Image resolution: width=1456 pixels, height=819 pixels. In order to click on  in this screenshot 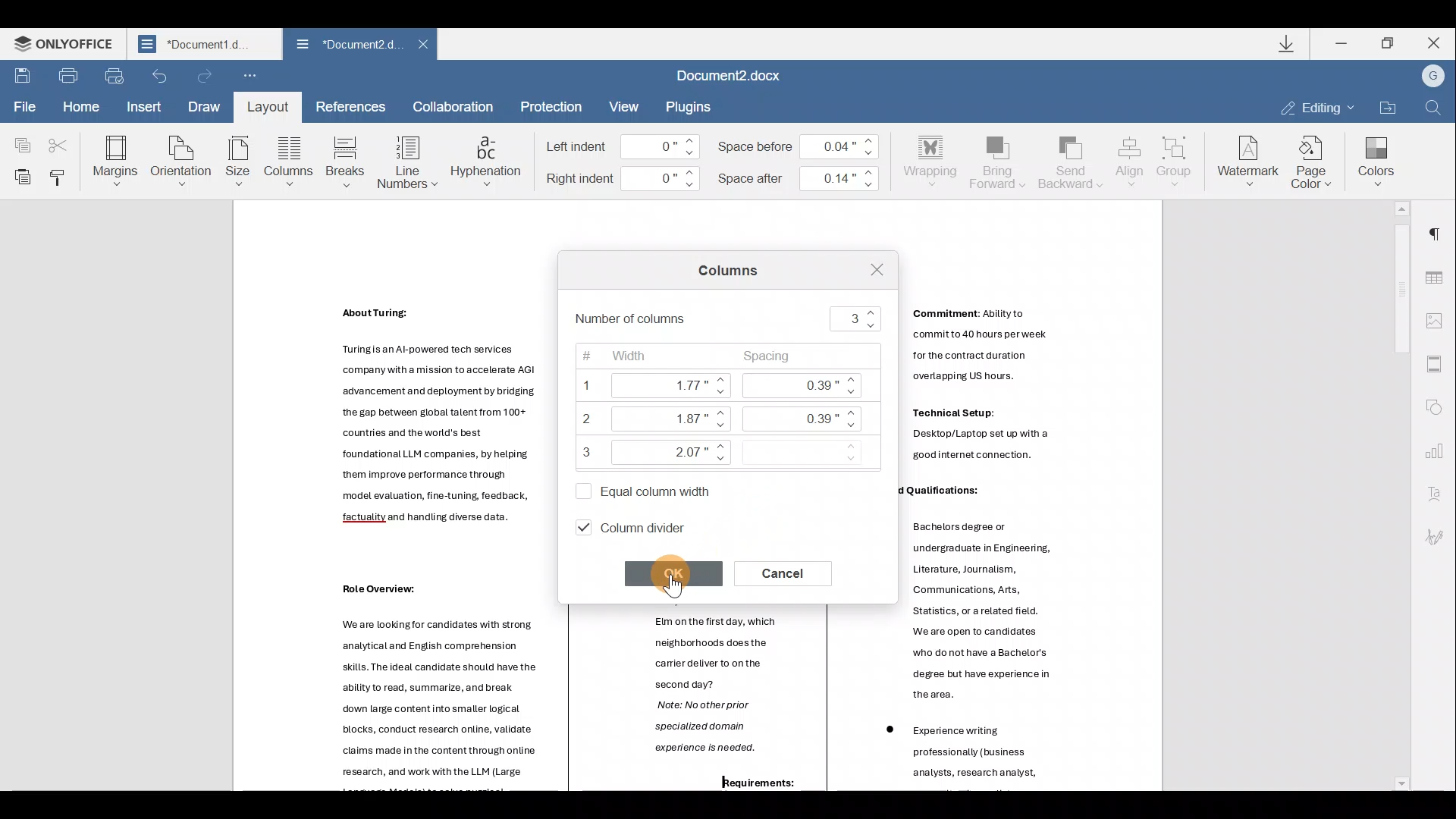, I will do `click(931, 490)`.